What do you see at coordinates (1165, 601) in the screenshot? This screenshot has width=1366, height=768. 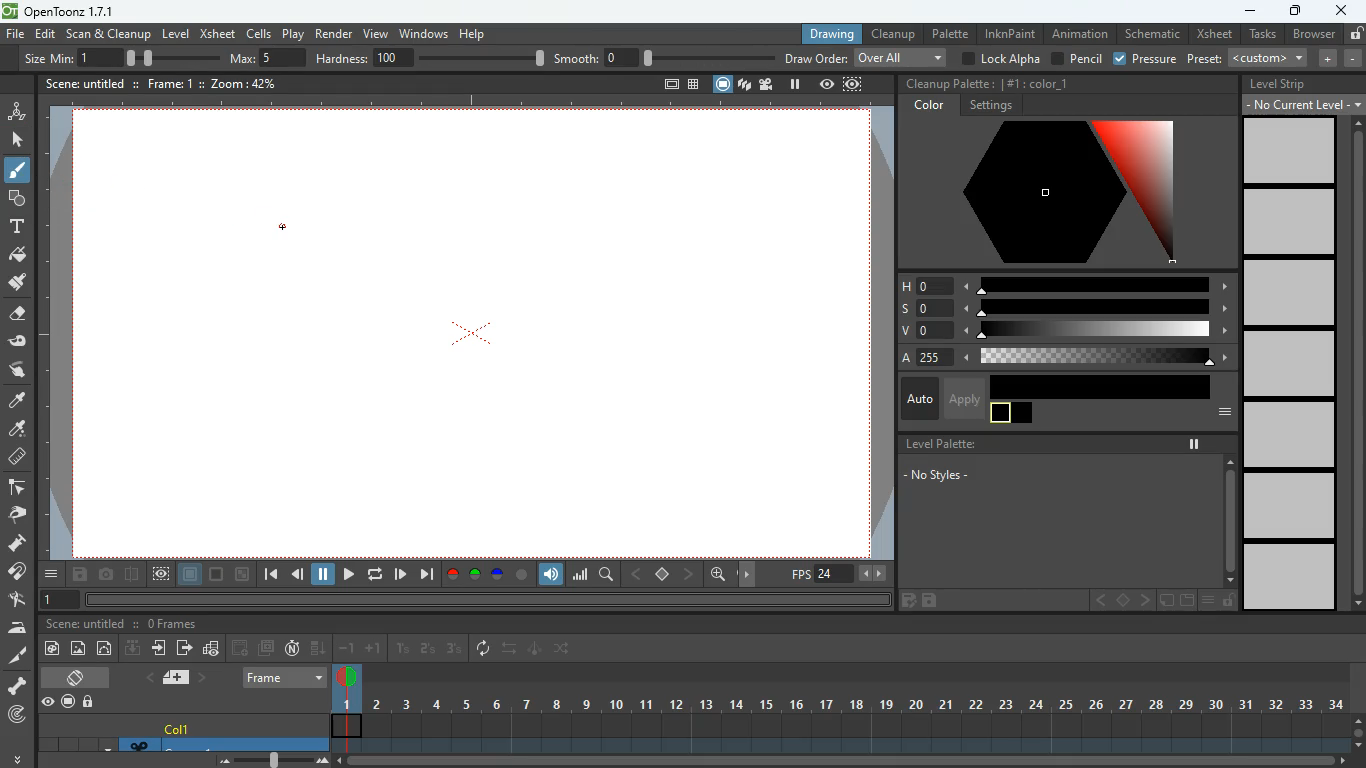 I see `sticker` at bounding box center [1165, 601].